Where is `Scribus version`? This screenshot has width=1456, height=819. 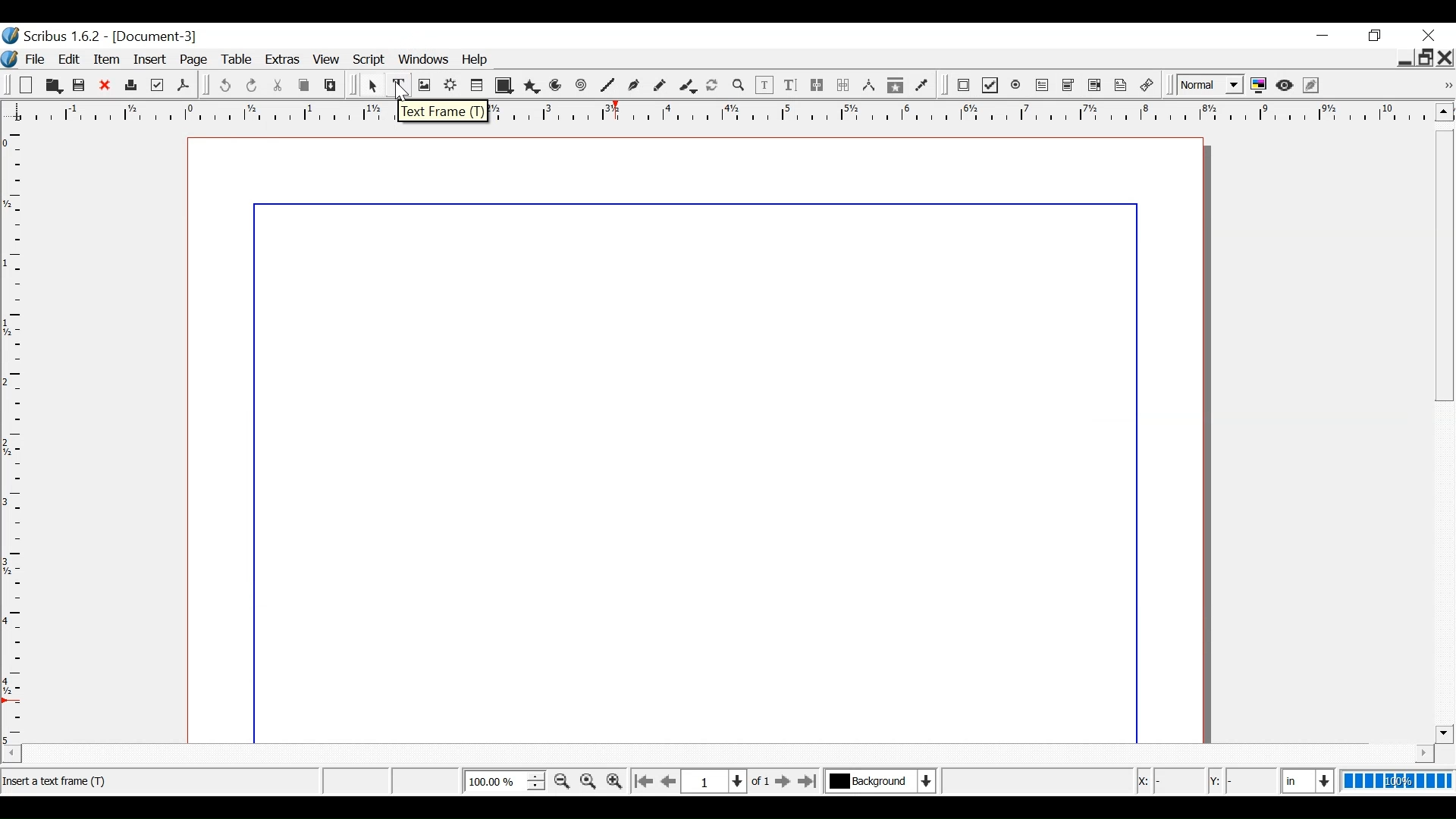 Scribus version is located at coordinates (52, 36).